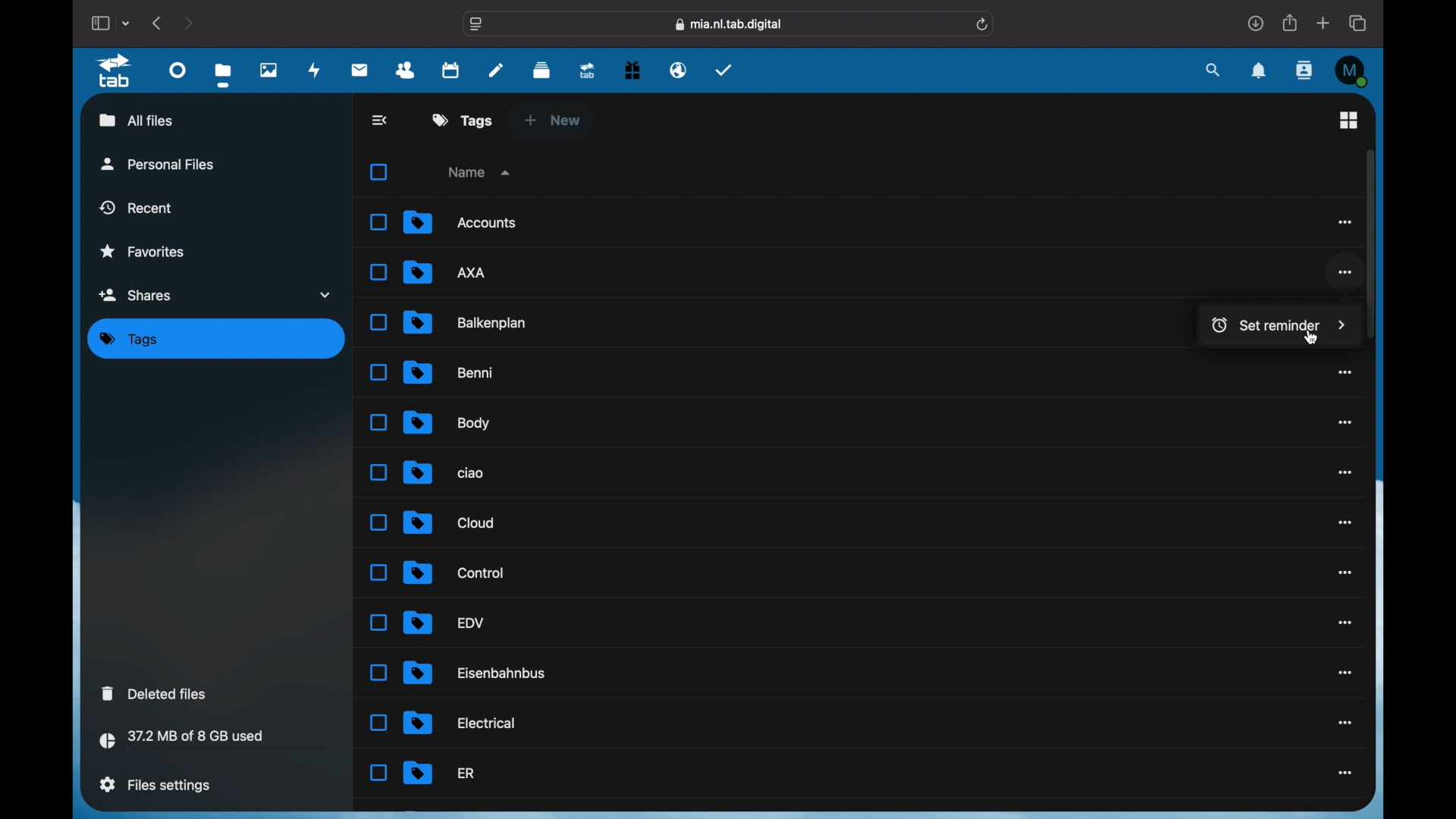 This screenshot has width=1456, height=819. Describe the element at coordinates (724, 69) in the screenshot. I see `tasks` at that location.